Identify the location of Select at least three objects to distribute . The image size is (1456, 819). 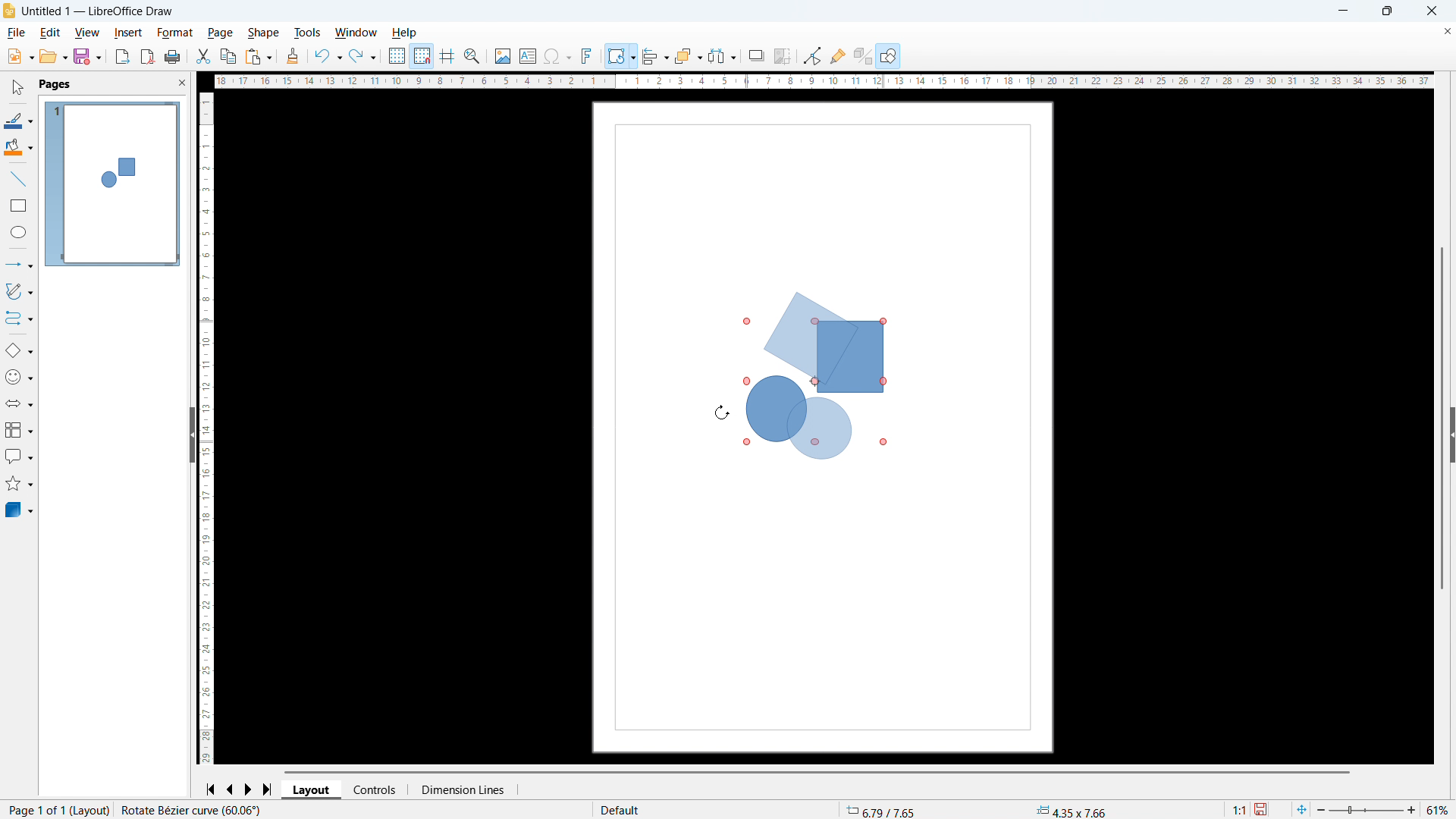
(722, 55).